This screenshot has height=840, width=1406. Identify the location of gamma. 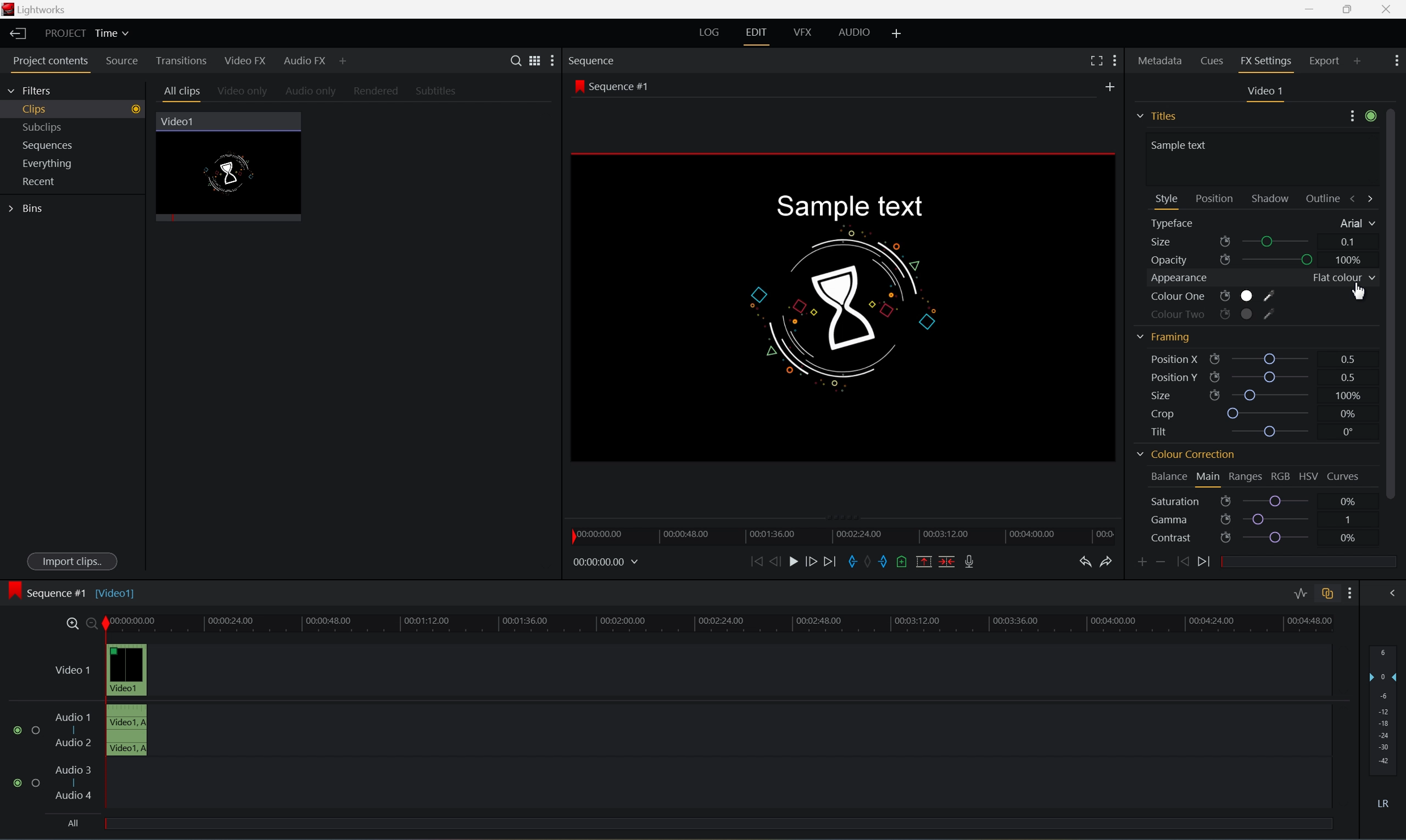
(1190, 520).